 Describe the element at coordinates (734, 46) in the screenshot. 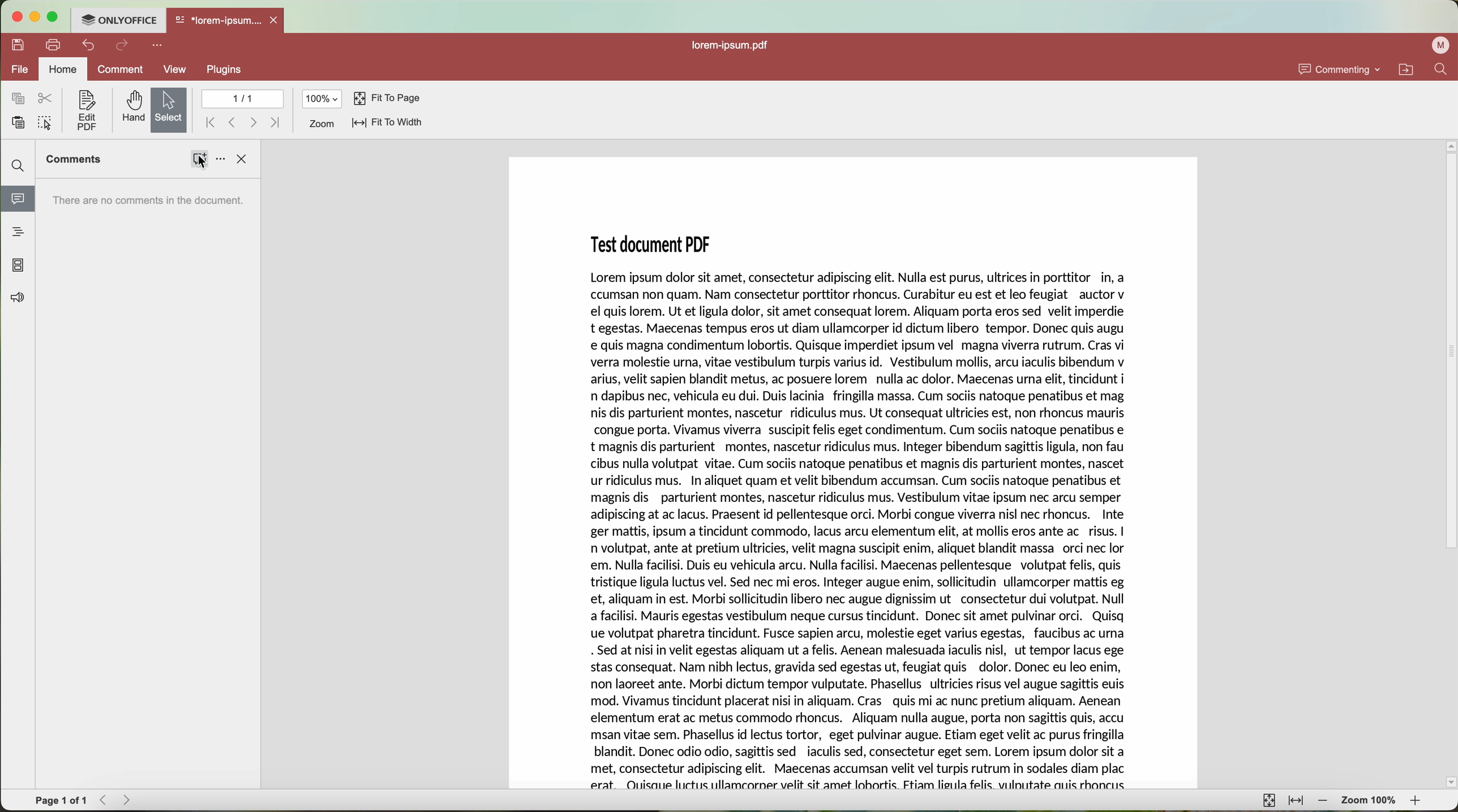

I see `file name` at that location.